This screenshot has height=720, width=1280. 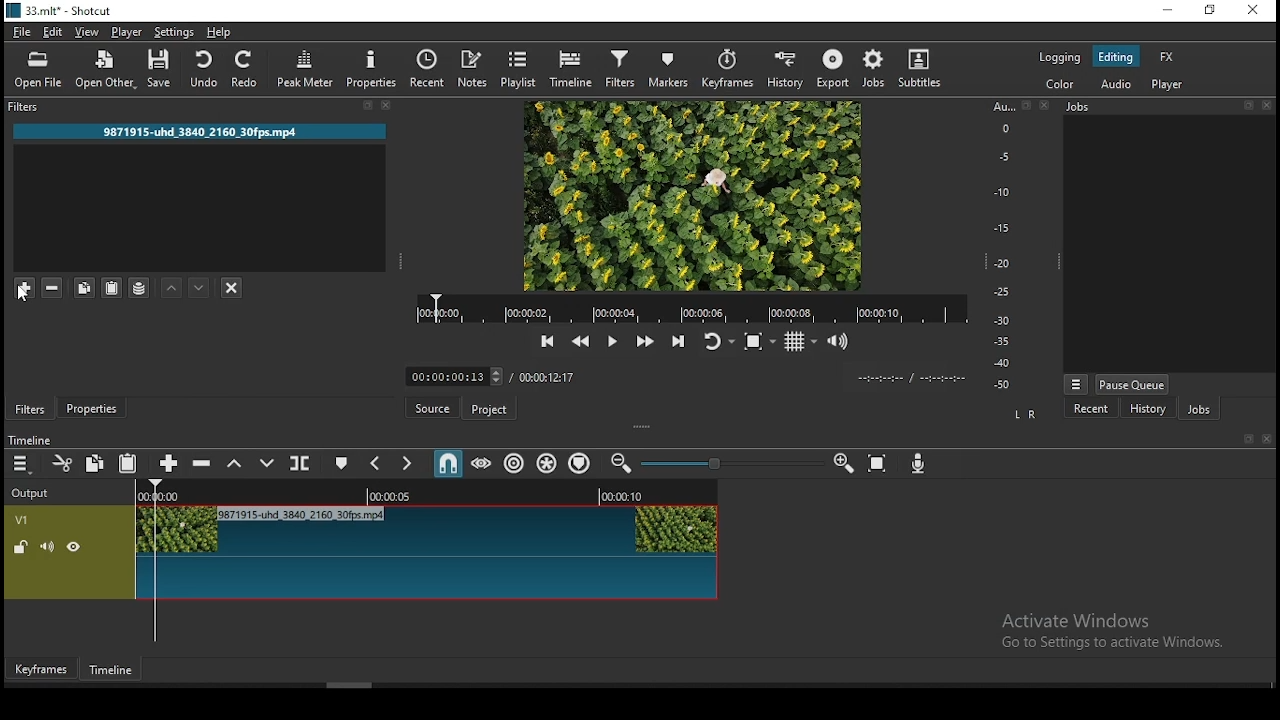 What do you see at coordinates (450, 465) in the screenshot?
I see `snap` at bounding box center [450, 465].